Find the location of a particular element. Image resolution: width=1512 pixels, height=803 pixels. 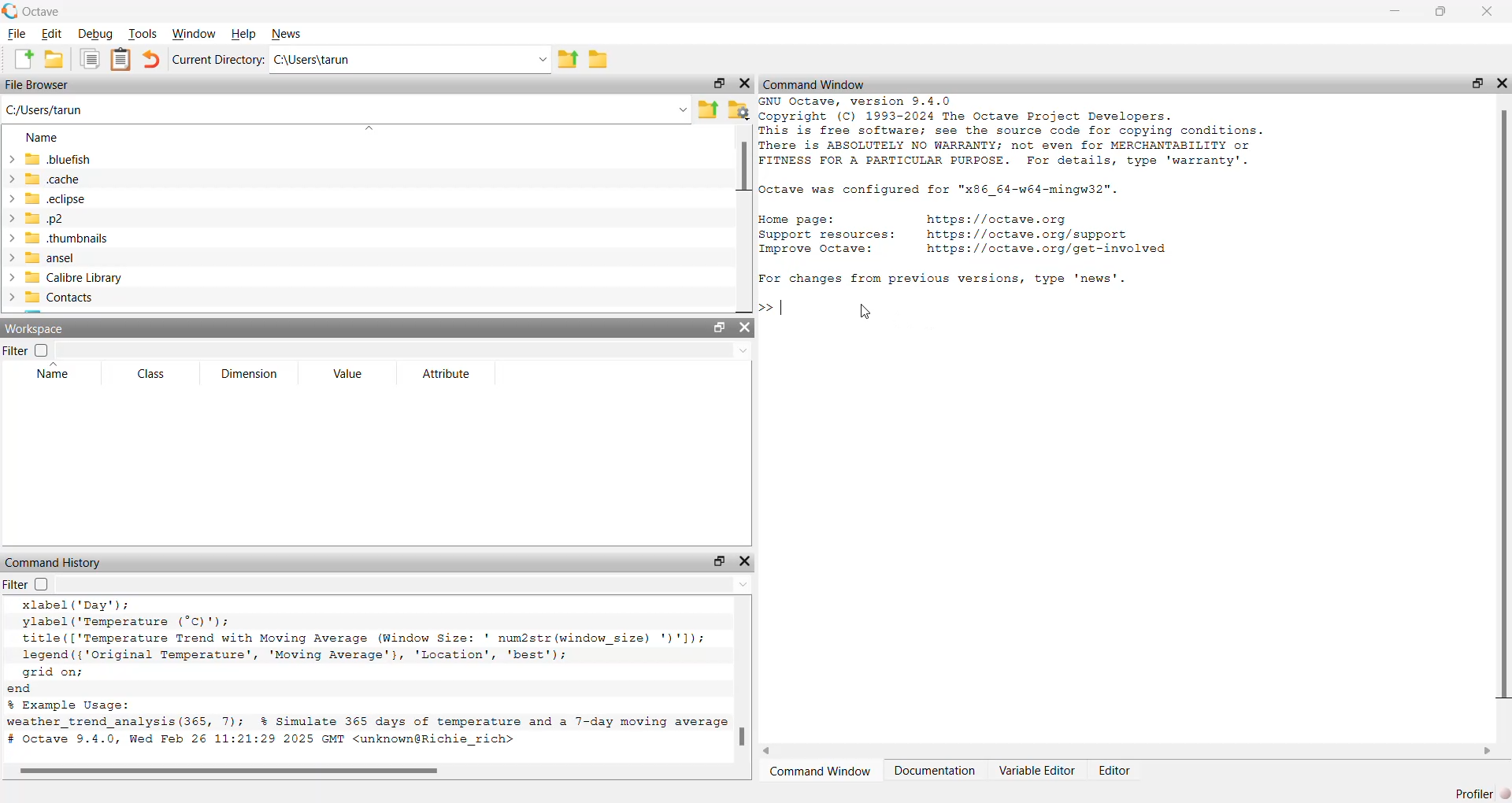

Profiler is located at coordinates (1471, 794).